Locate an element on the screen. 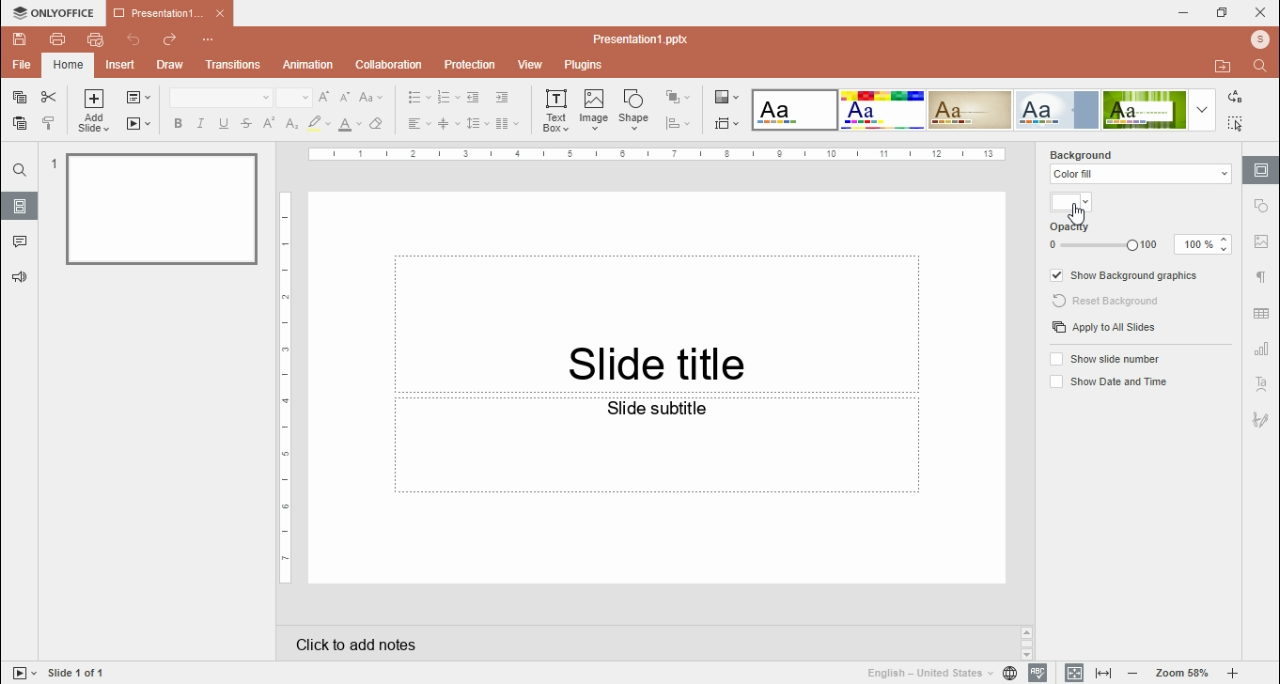 This screenshot has width=1280, height=684. underline is located at coordinates (224, 124).